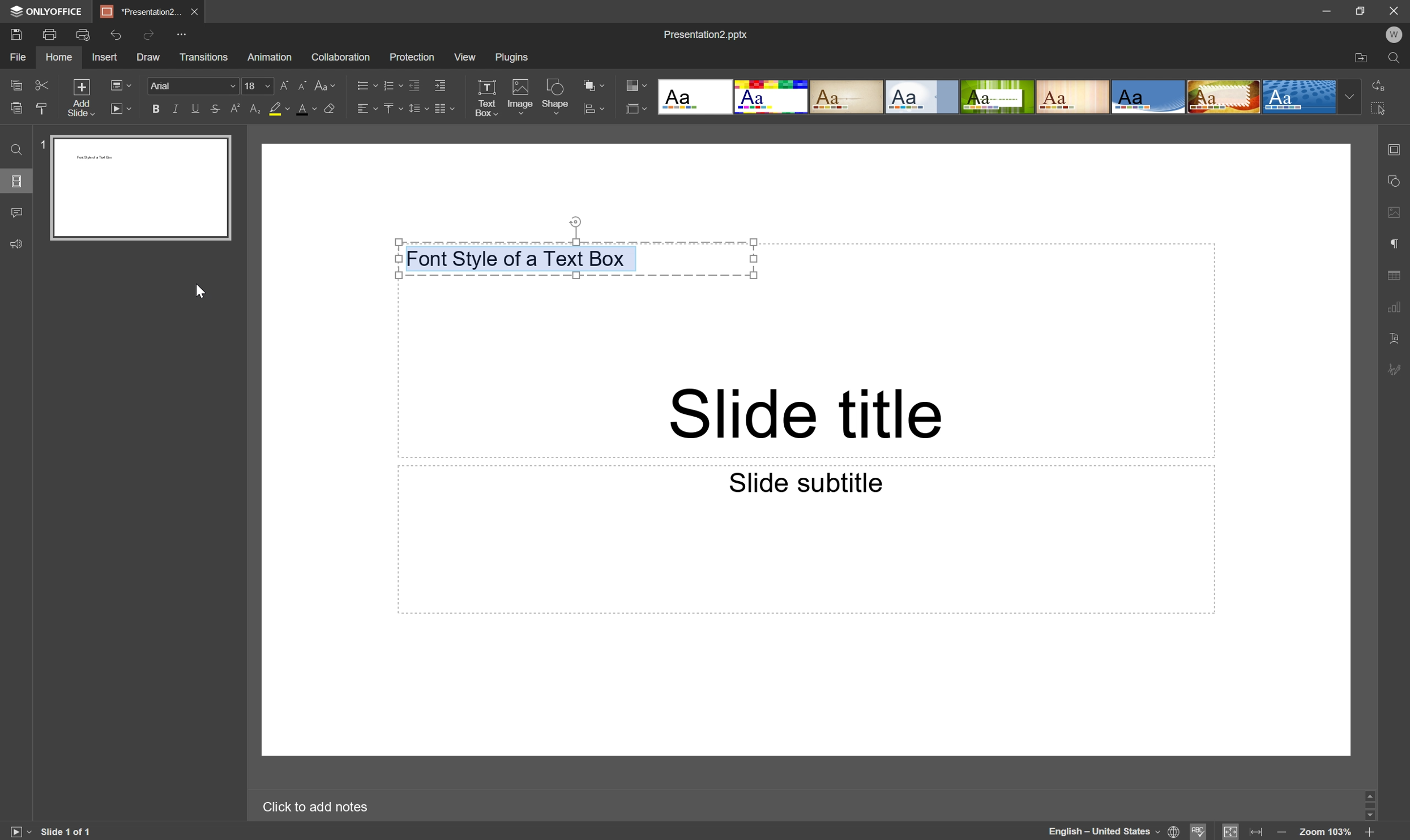  What do you see at coordinates (317, 806) in the screenshot?
I see `Click to add notes` at bounding box center [317, 806].